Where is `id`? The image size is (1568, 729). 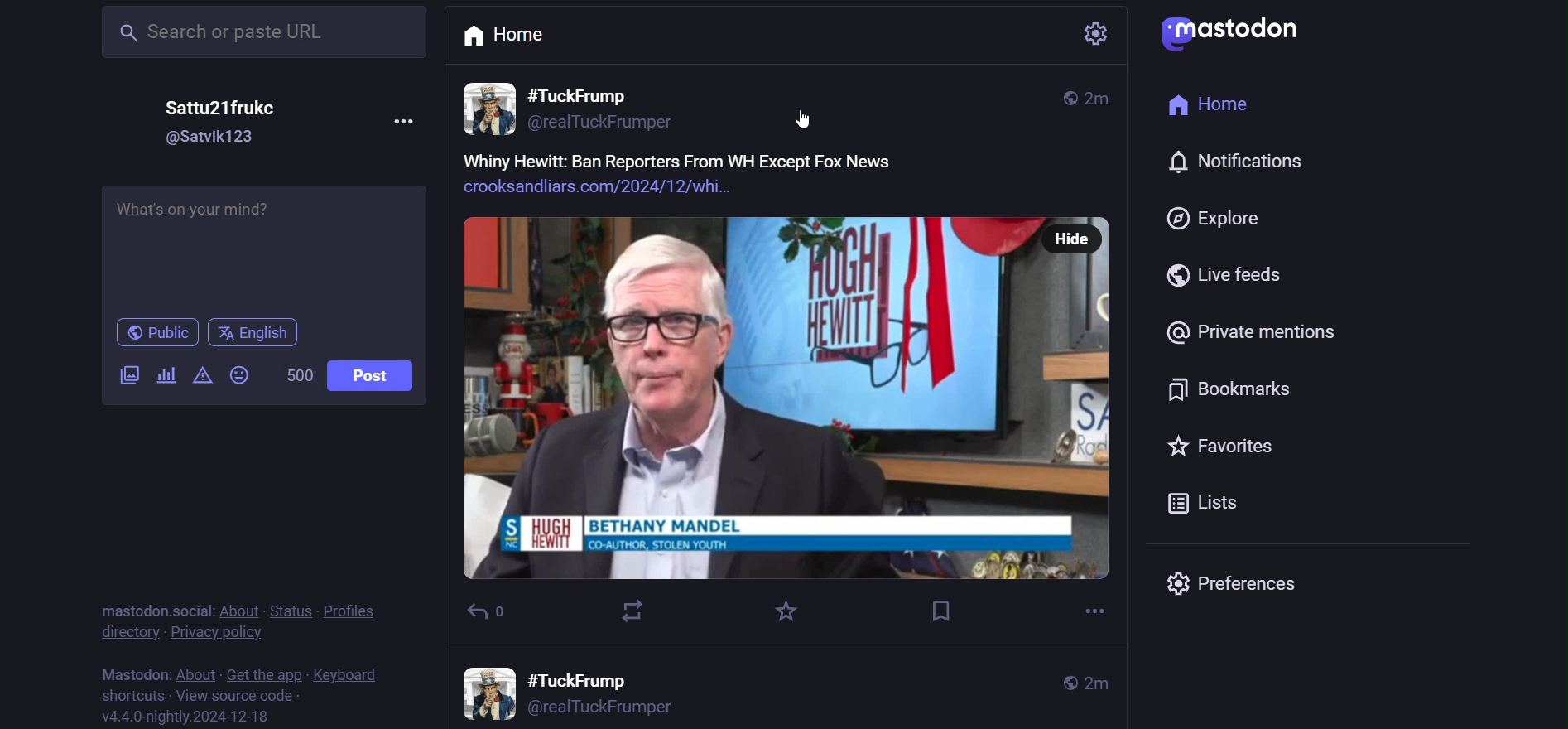 id is located at coordinates (219, 139).